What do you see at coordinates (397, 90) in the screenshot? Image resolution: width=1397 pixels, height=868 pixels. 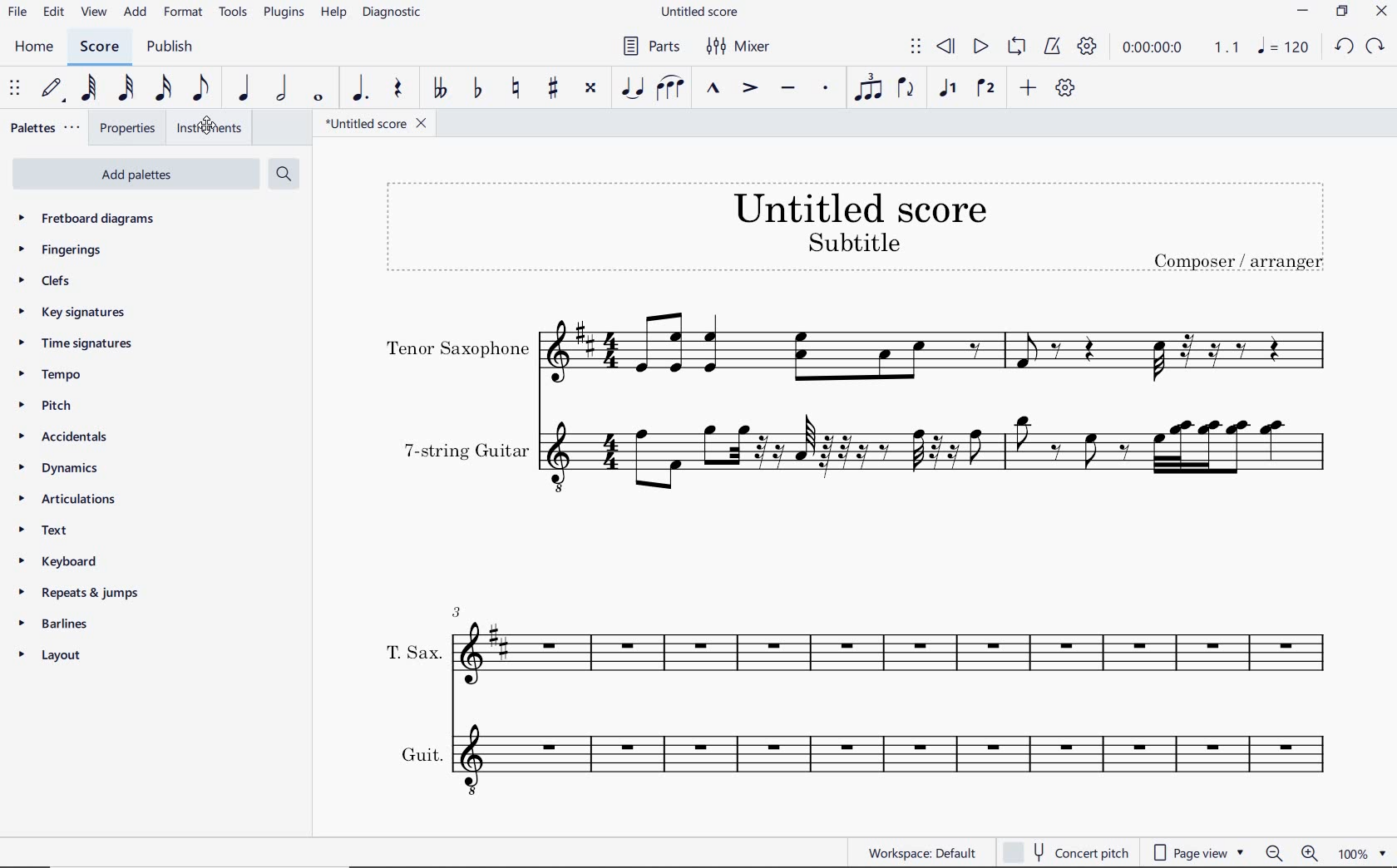 I see `REST` at bounding box center [397, 90].